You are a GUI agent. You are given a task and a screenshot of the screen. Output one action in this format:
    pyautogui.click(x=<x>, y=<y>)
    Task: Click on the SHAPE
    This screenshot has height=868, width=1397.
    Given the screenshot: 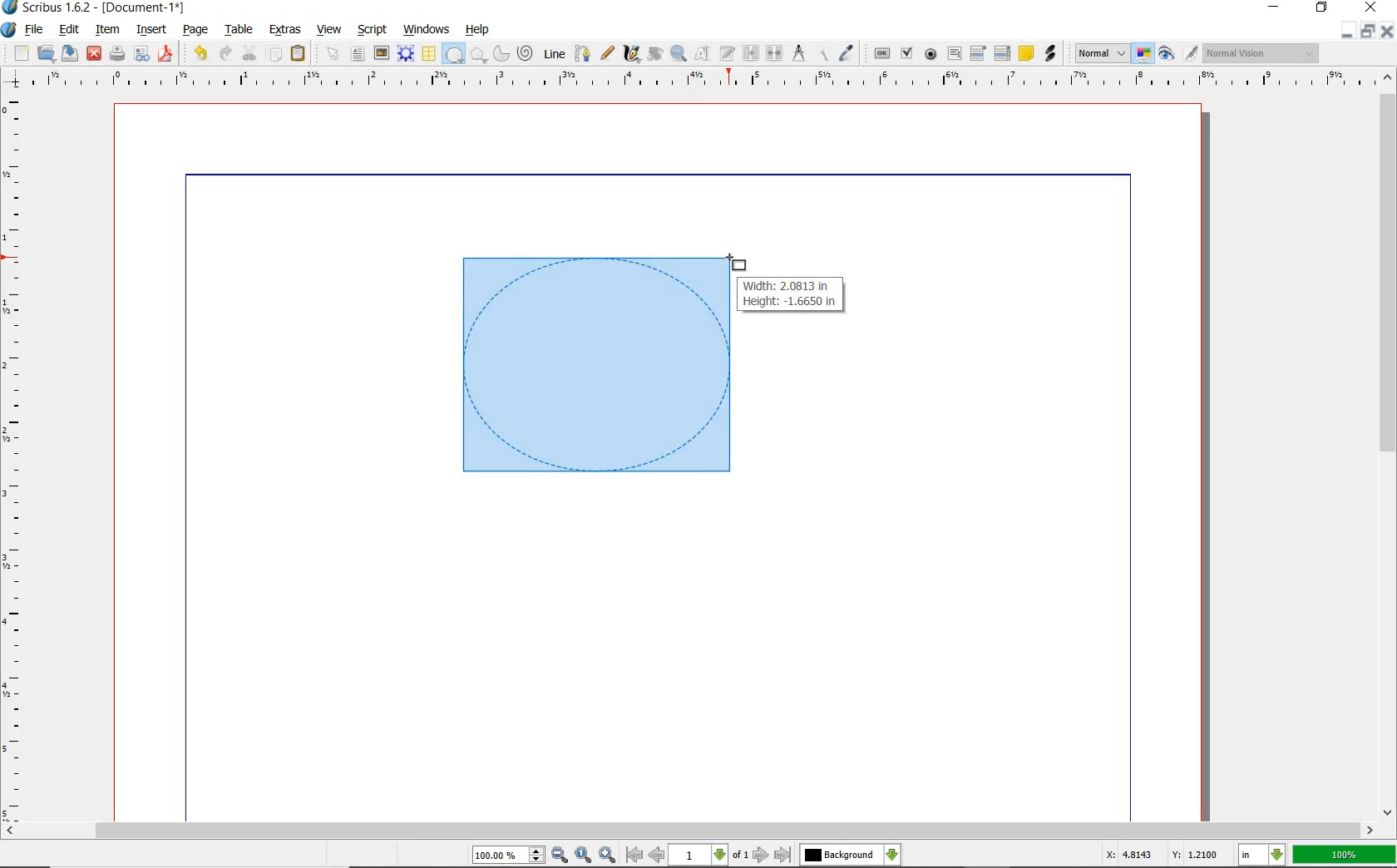 What is the action you would take?
    pyautogui.click(x=453, y=55)
    